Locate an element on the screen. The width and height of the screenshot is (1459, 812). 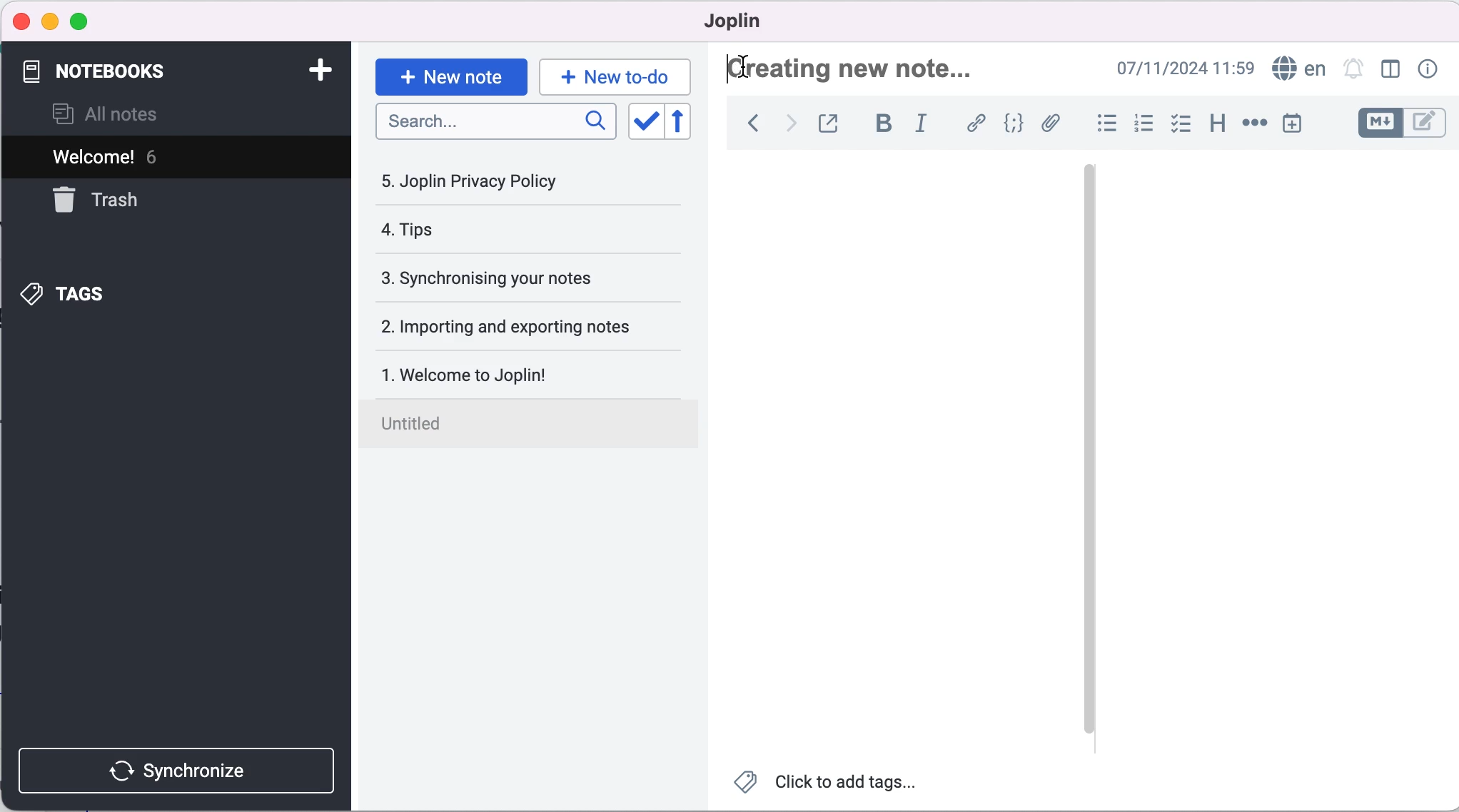
add note is located at coordinates (313, 69).